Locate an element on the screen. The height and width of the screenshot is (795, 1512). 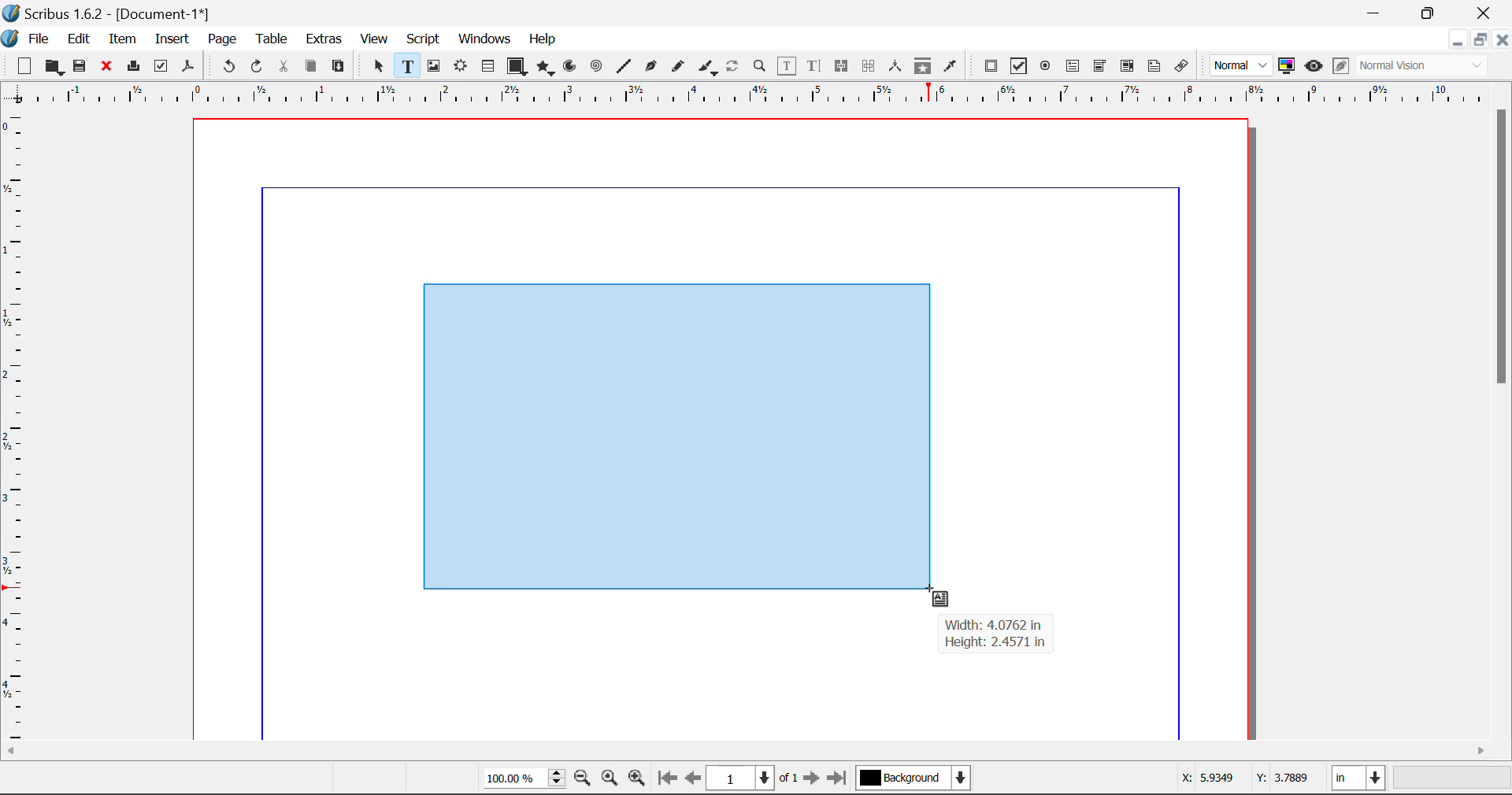
Tables is located at coordinates (487, 66).